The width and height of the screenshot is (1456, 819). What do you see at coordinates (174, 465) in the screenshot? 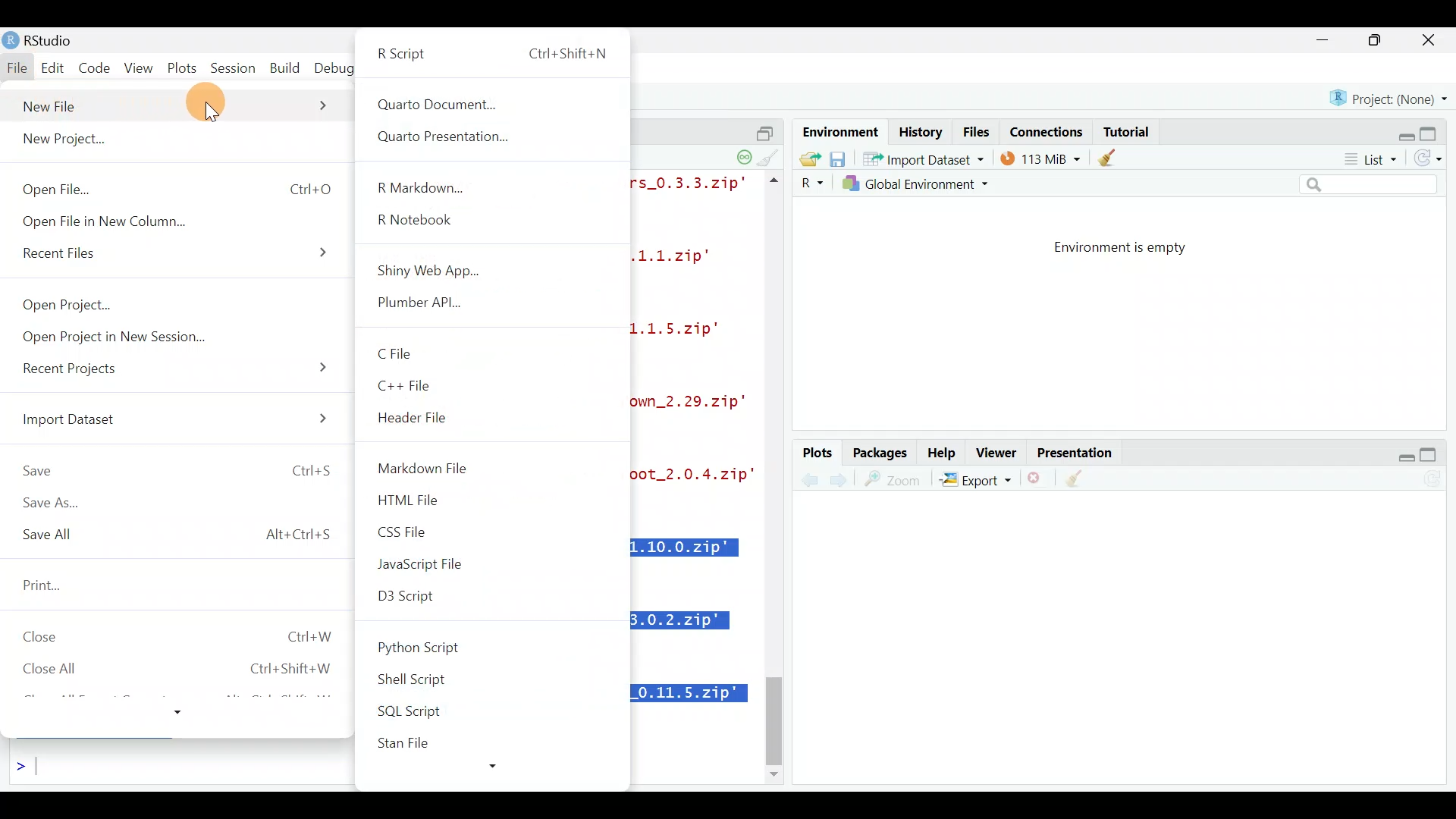
I see `Save Ctrl+S` at bounding box center [174, 465].